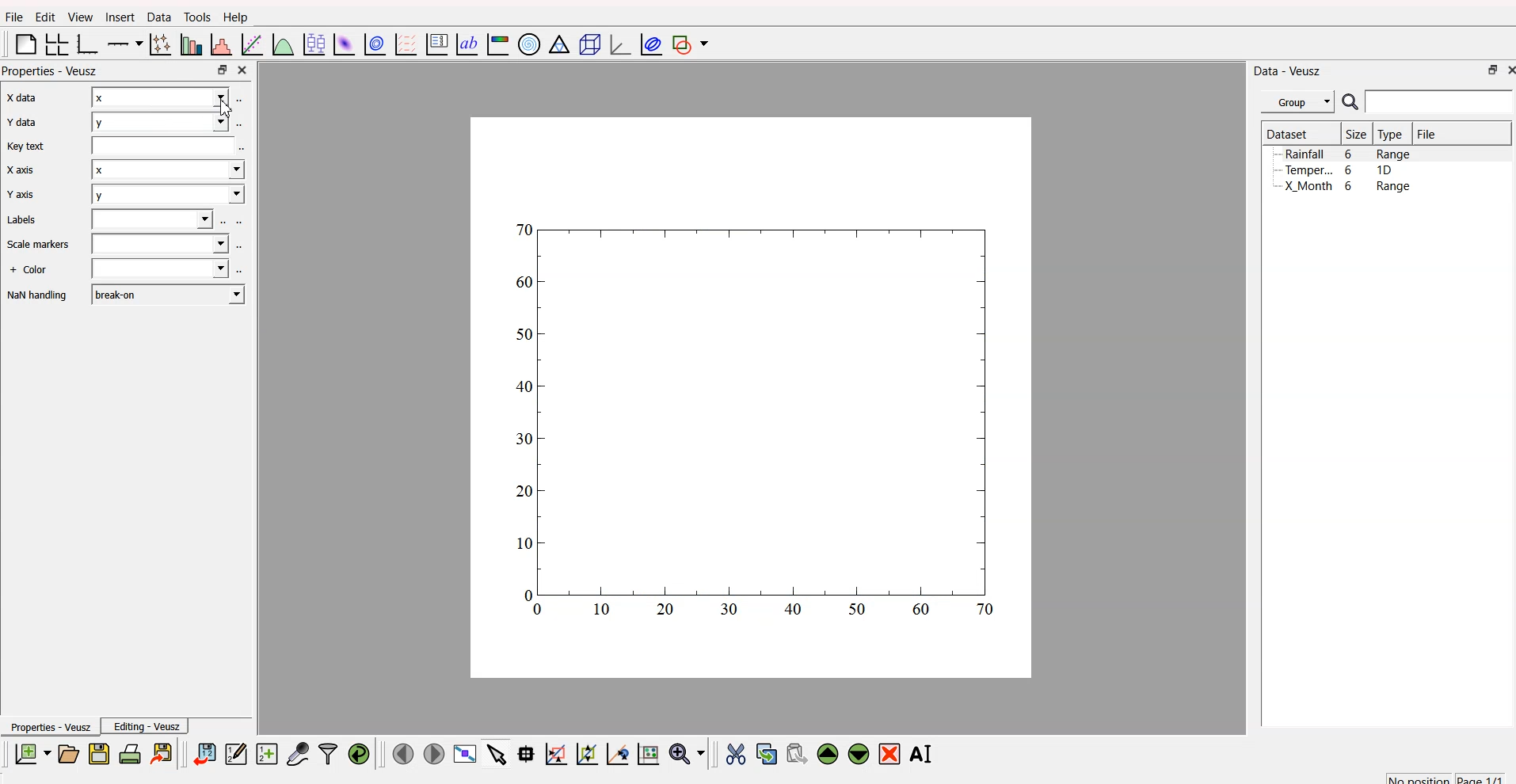  What do you see at coordinates (19, 99) in the screenshot?
I see `x axis` at bounding box center [19, 99].